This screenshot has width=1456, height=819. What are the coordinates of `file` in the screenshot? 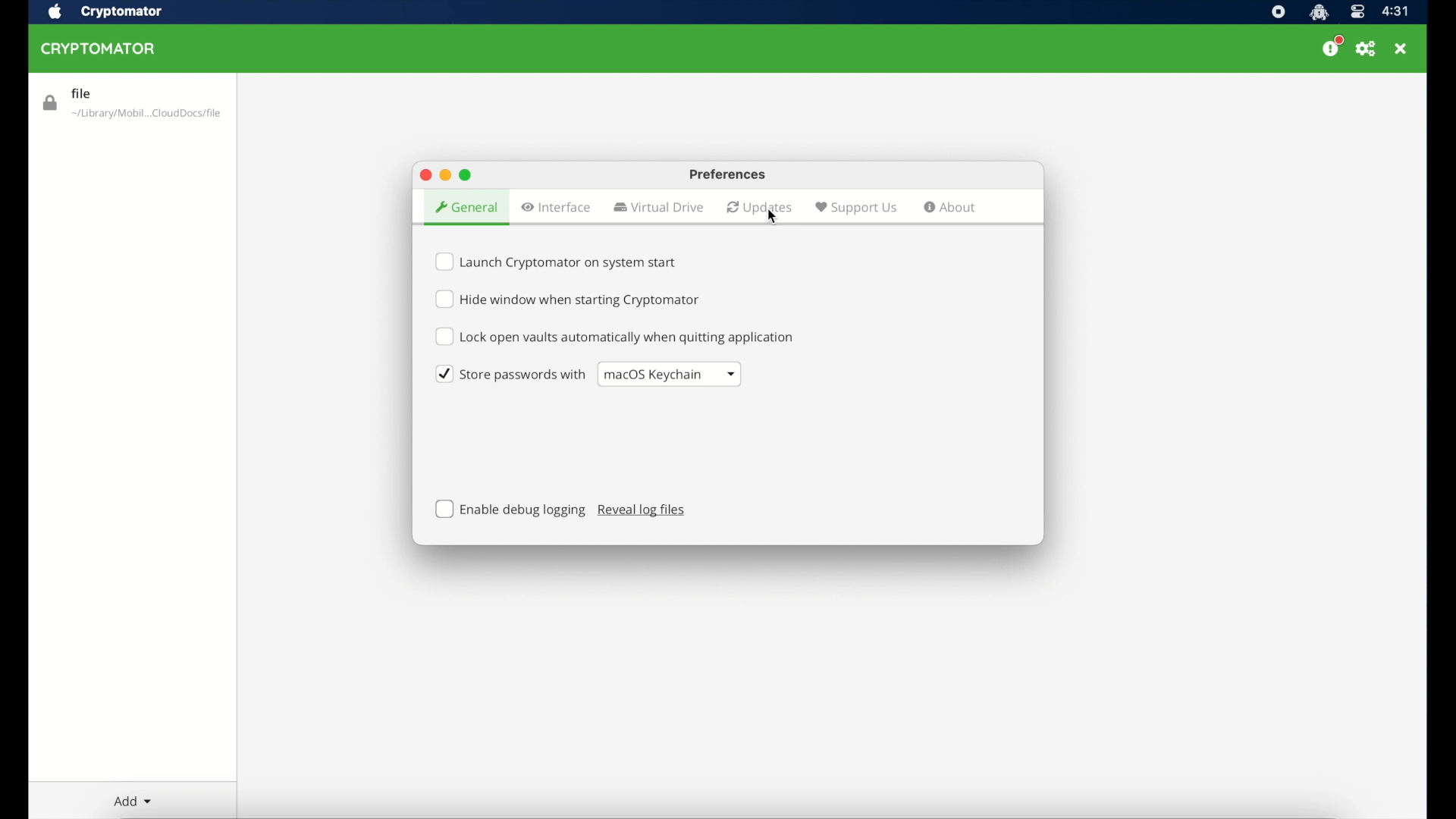 It's located at (131, 104).